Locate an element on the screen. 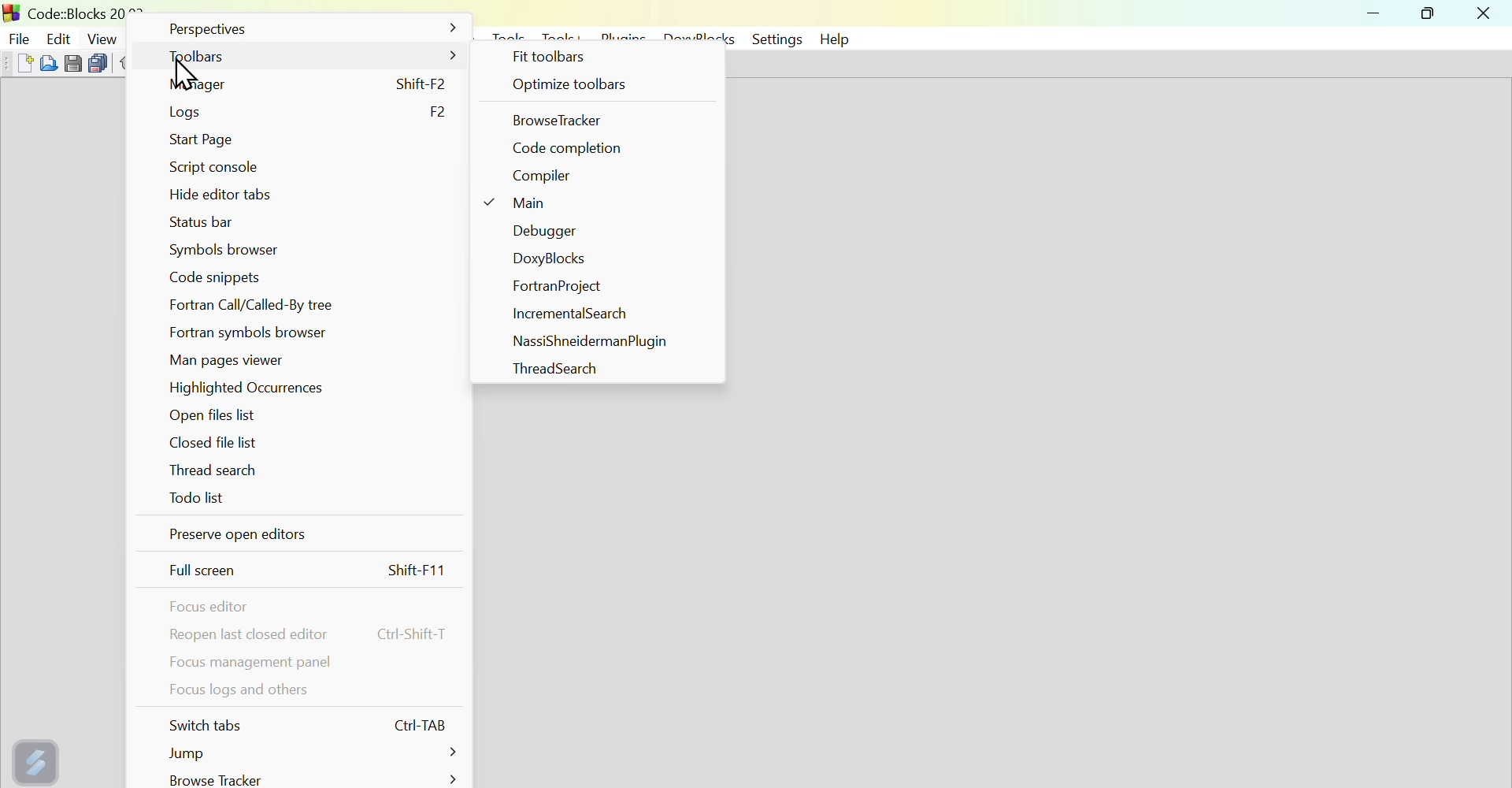 Image resolution: width=1512 pixels, height=788 pixels. Toolbars is located at coordinates (310, 58).